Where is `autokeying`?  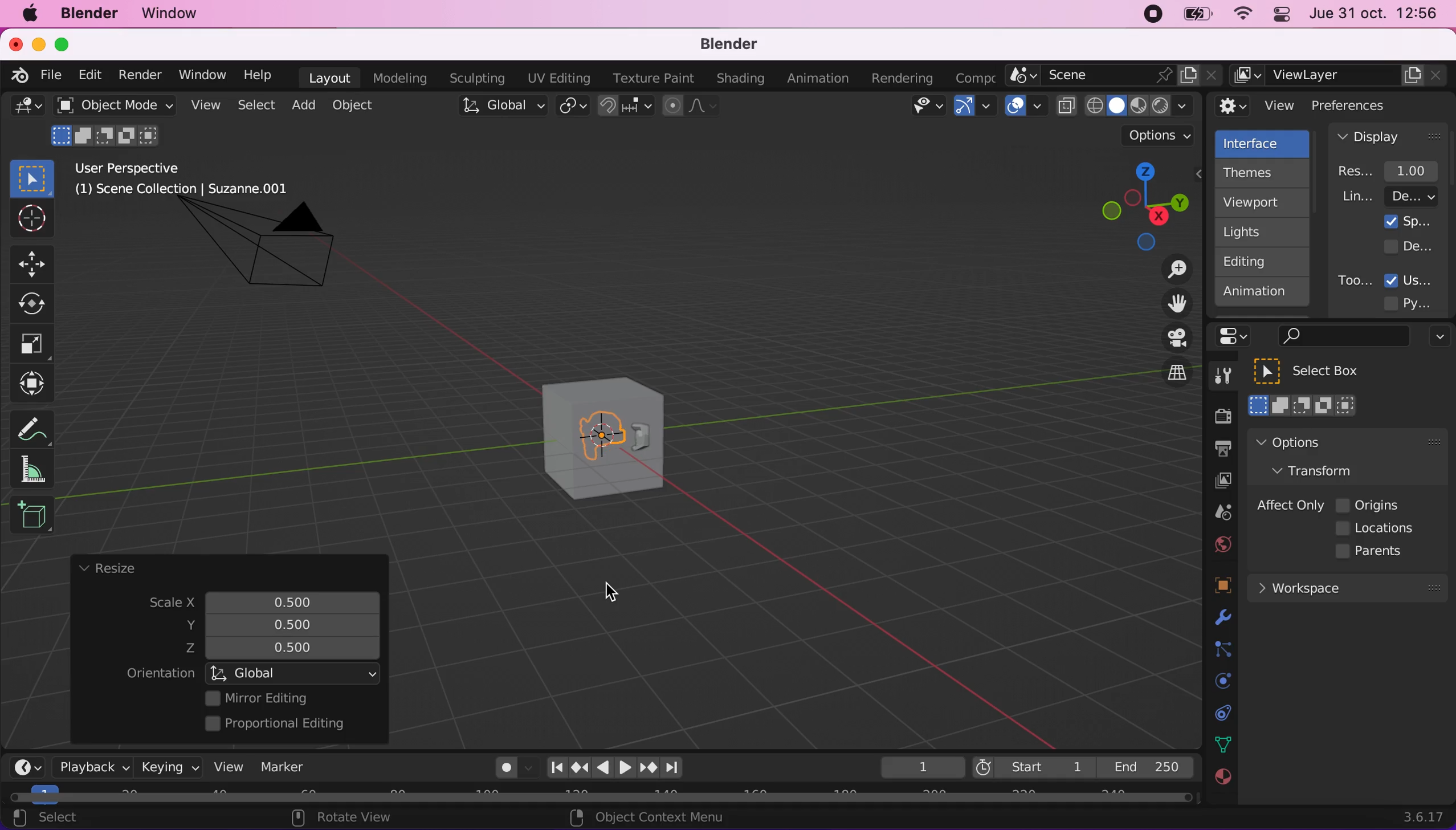
autokeying is located at coordinates (507, 771).